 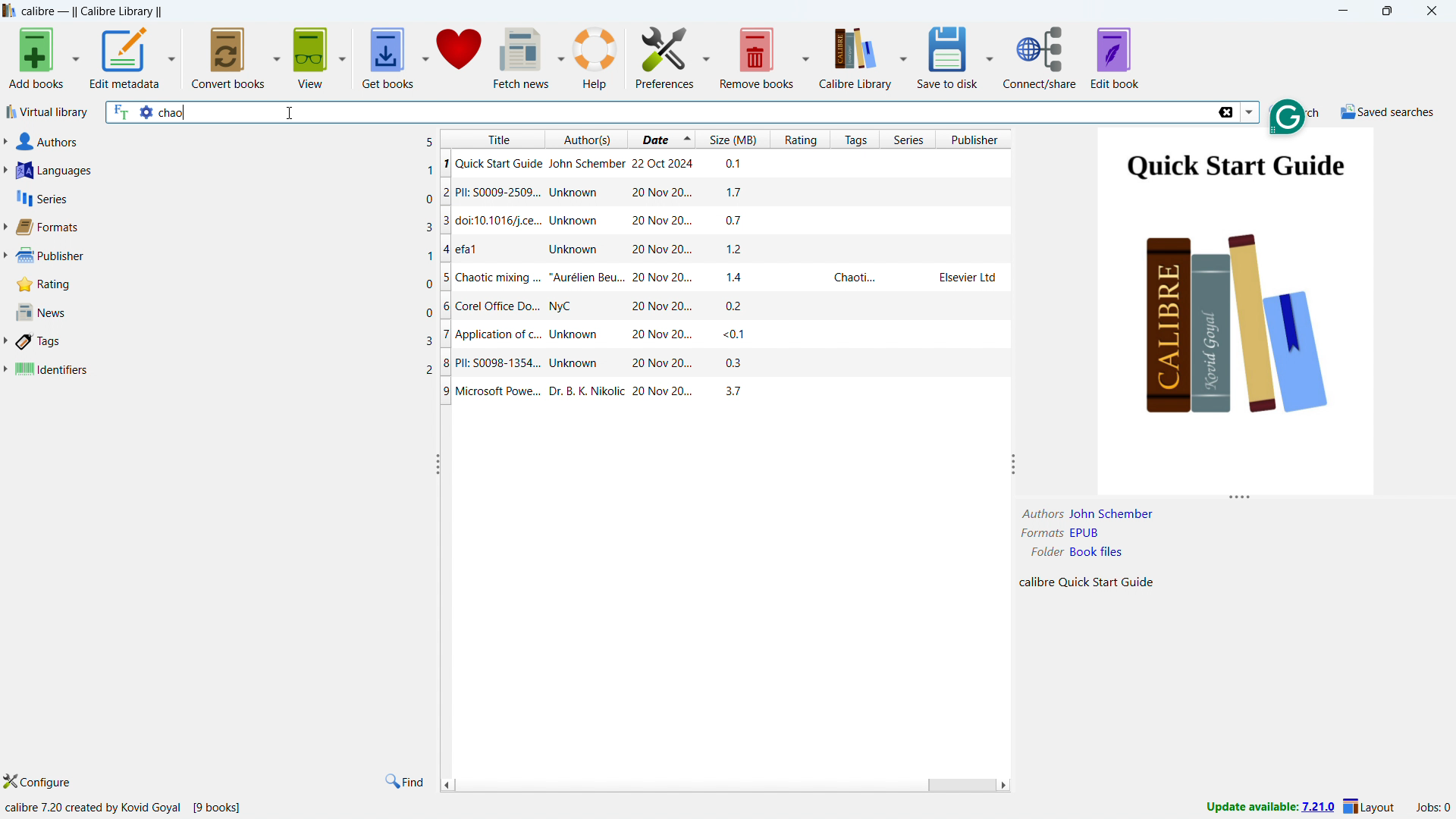 I want to click on active jobs, so click(x=1434, y=808).